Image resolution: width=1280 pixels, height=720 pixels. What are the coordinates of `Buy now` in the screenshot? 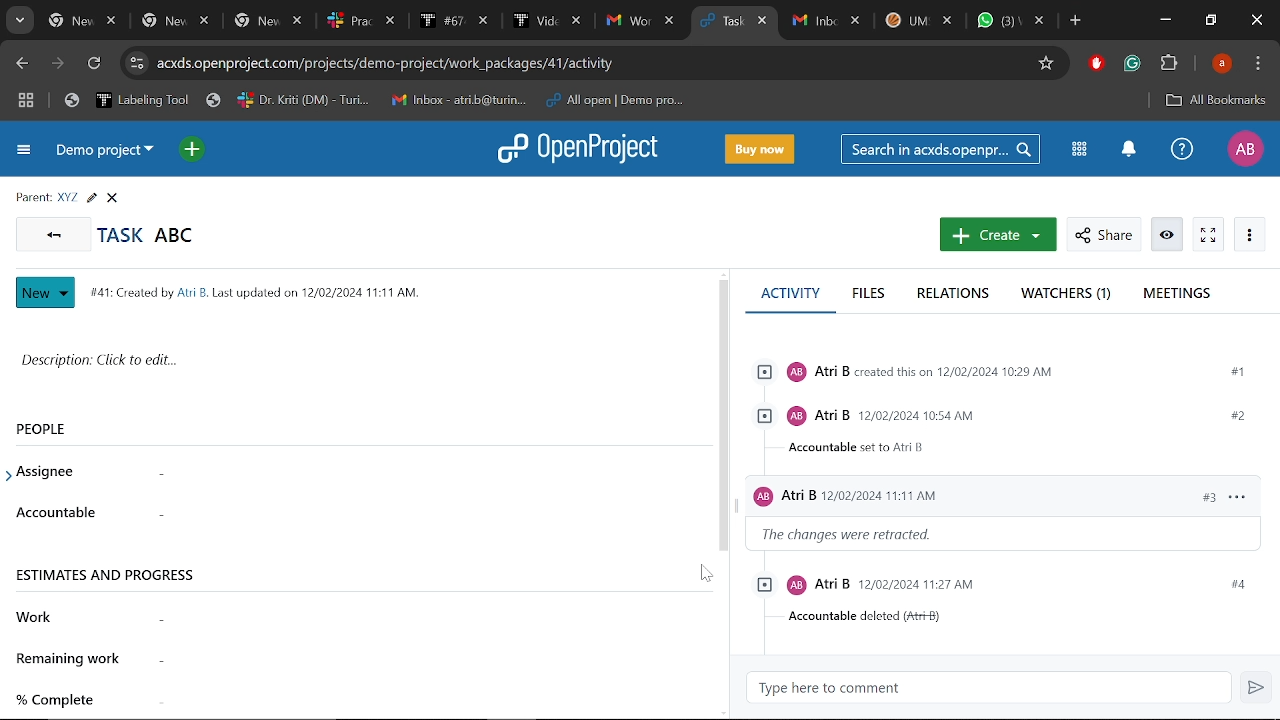 It's located at (760, 150).